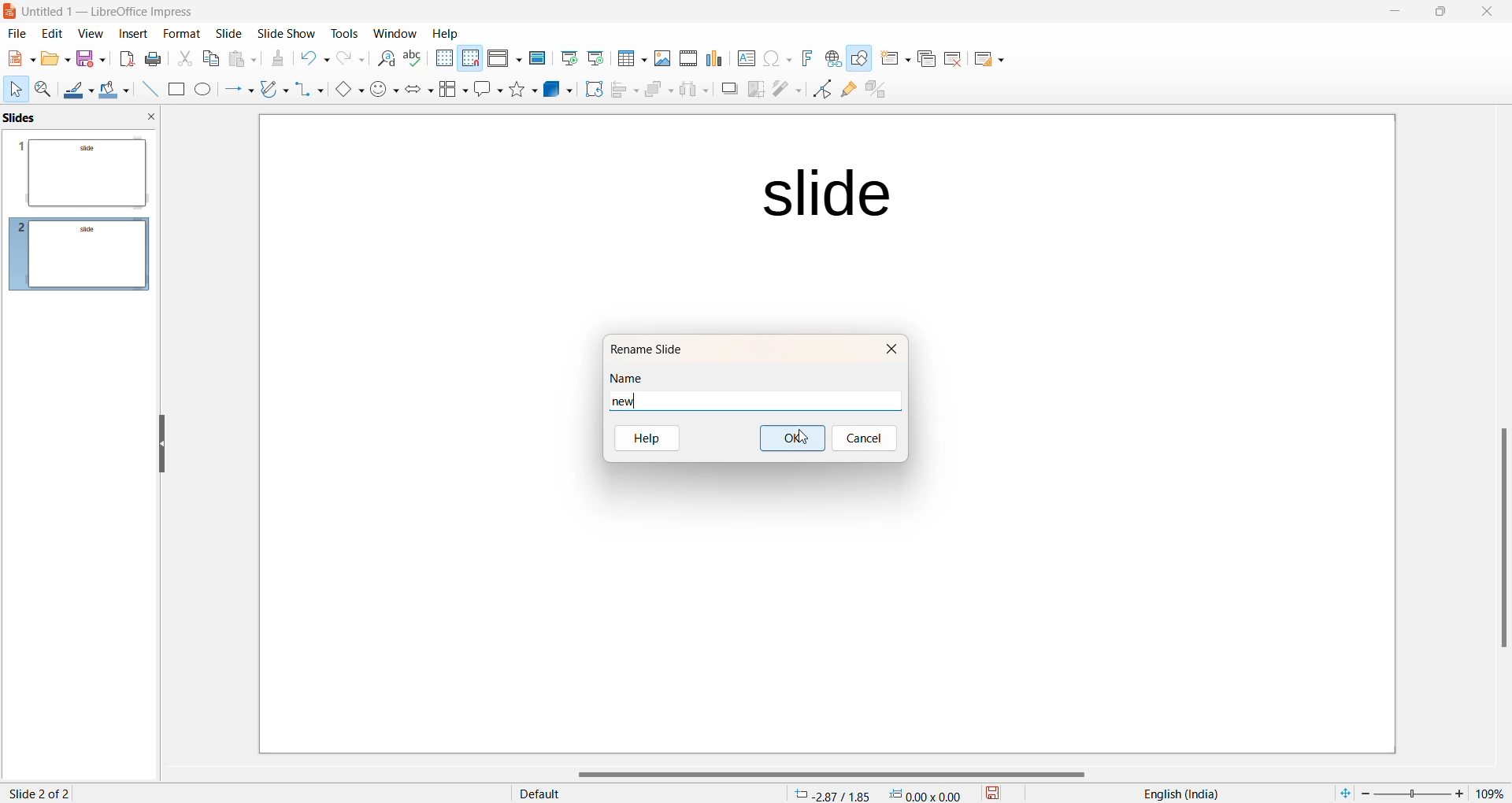 This screenshot has width=1512, height=803. Describe the element at coordinates (41, 88) in the screenshot. I see `Zoom and pan` at that location.